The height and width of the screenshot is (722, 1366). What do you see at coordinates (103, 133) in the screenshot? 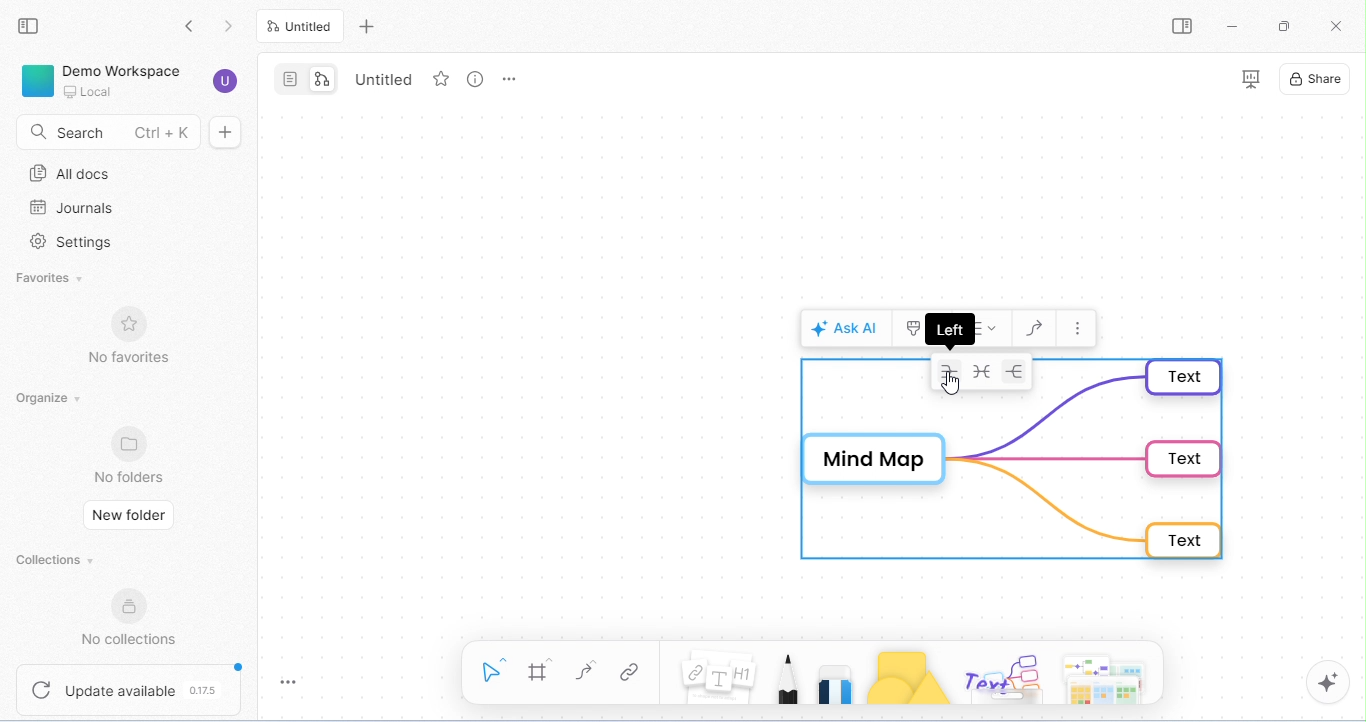
I see `search` at bounding box center [103, 133].